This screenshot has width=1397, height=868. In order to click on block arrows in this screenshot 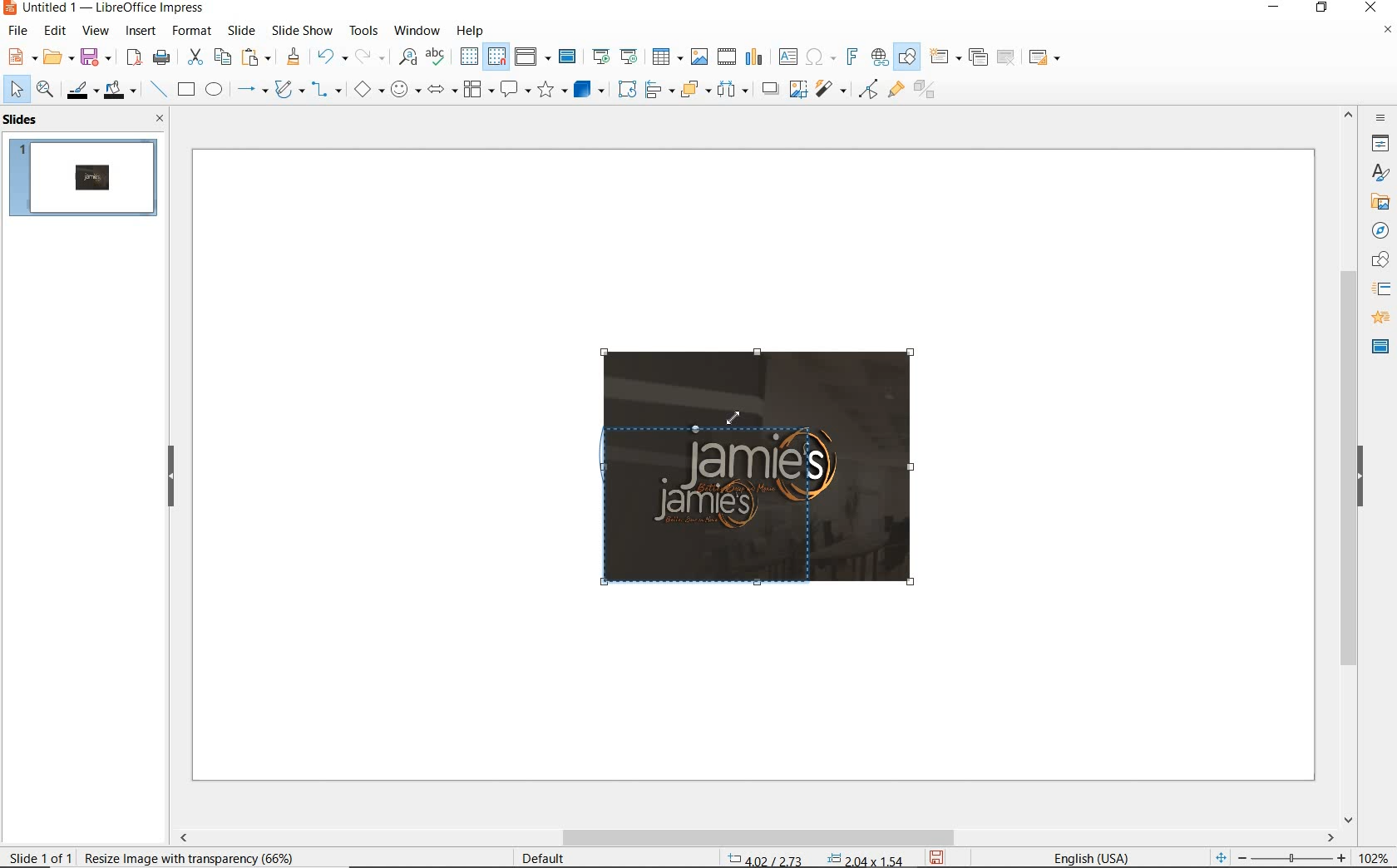, I will do `click(439, 91)`.